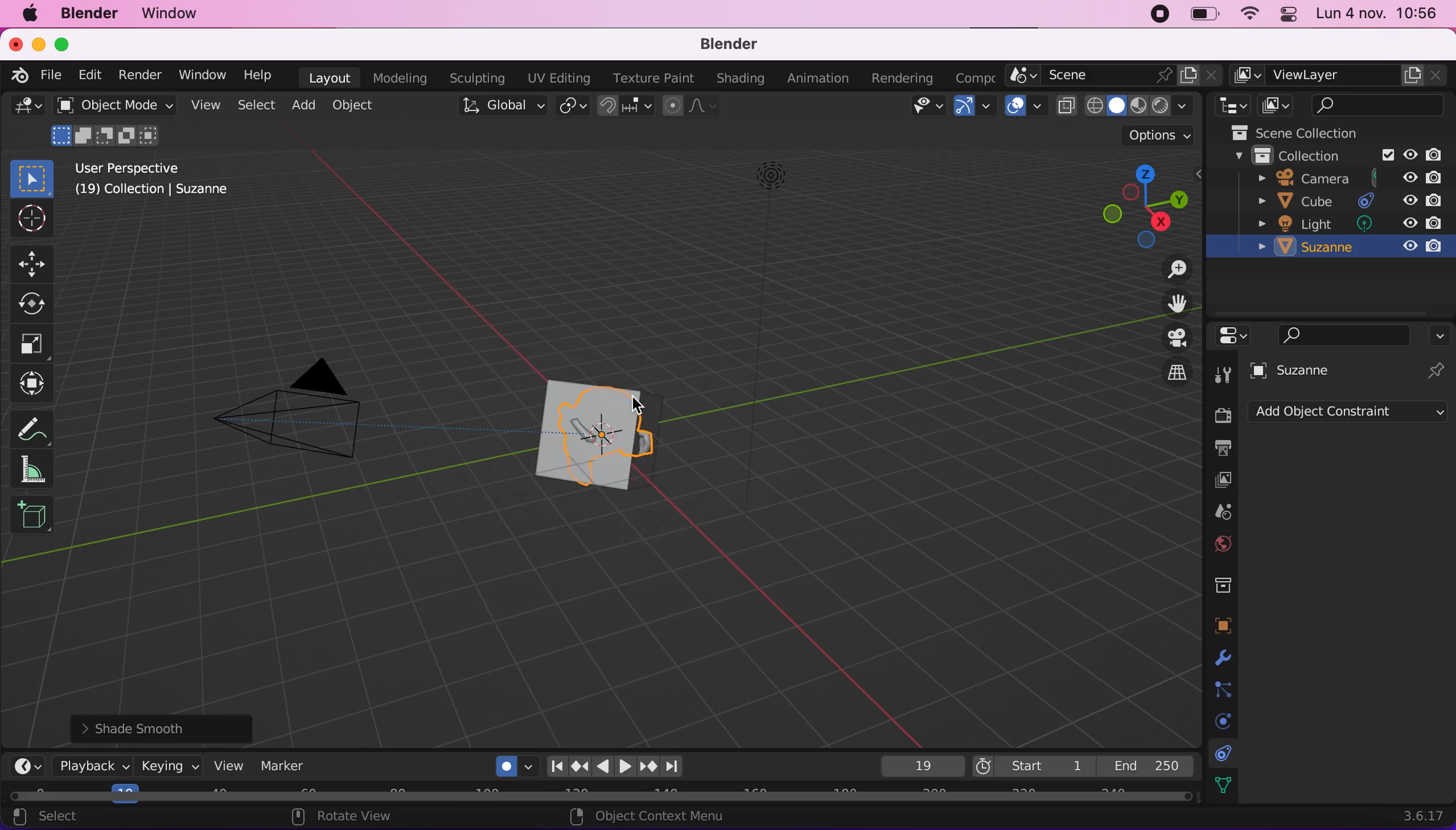  What do you see at coordinates (1345, 178) in the screenshot?
I see `camera` at bounding box center [1345, 178].